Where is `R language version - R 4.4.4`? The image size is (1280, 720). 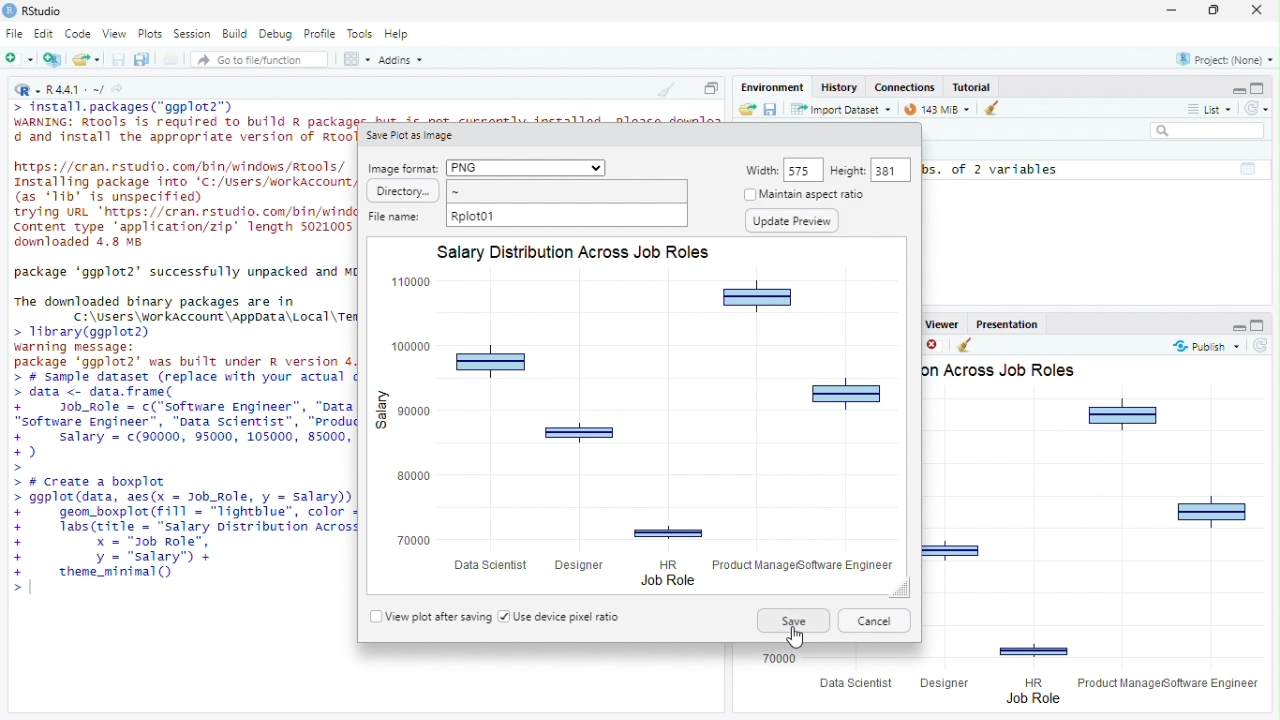
R language version - R 4.4.4 is located at coordinates (75, 91).